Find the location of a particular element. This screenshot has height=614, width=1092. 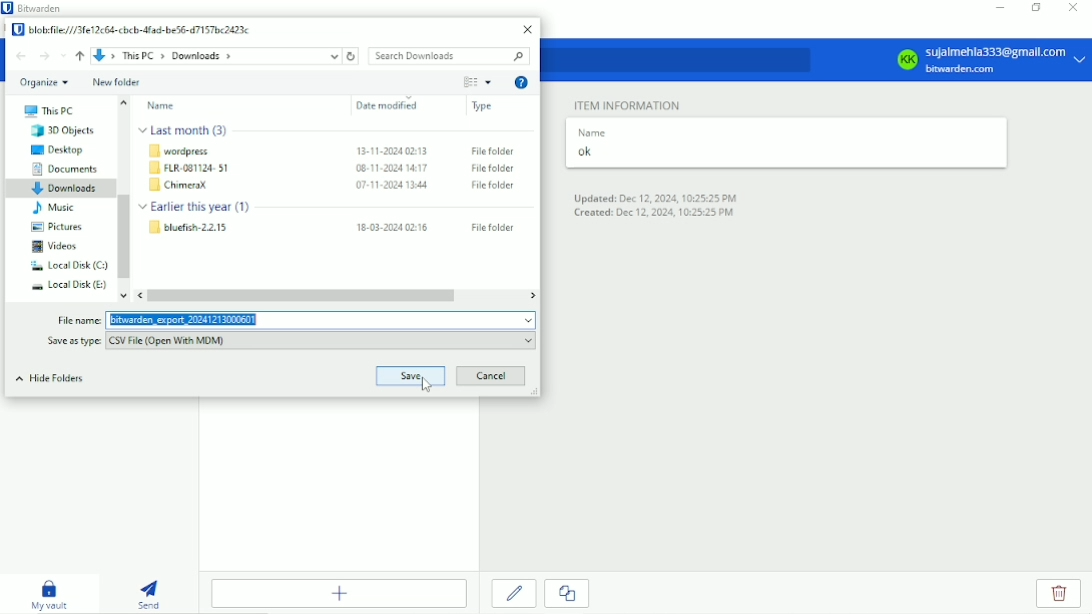

Vertical scrollbar is located at coordinates (123, 237).